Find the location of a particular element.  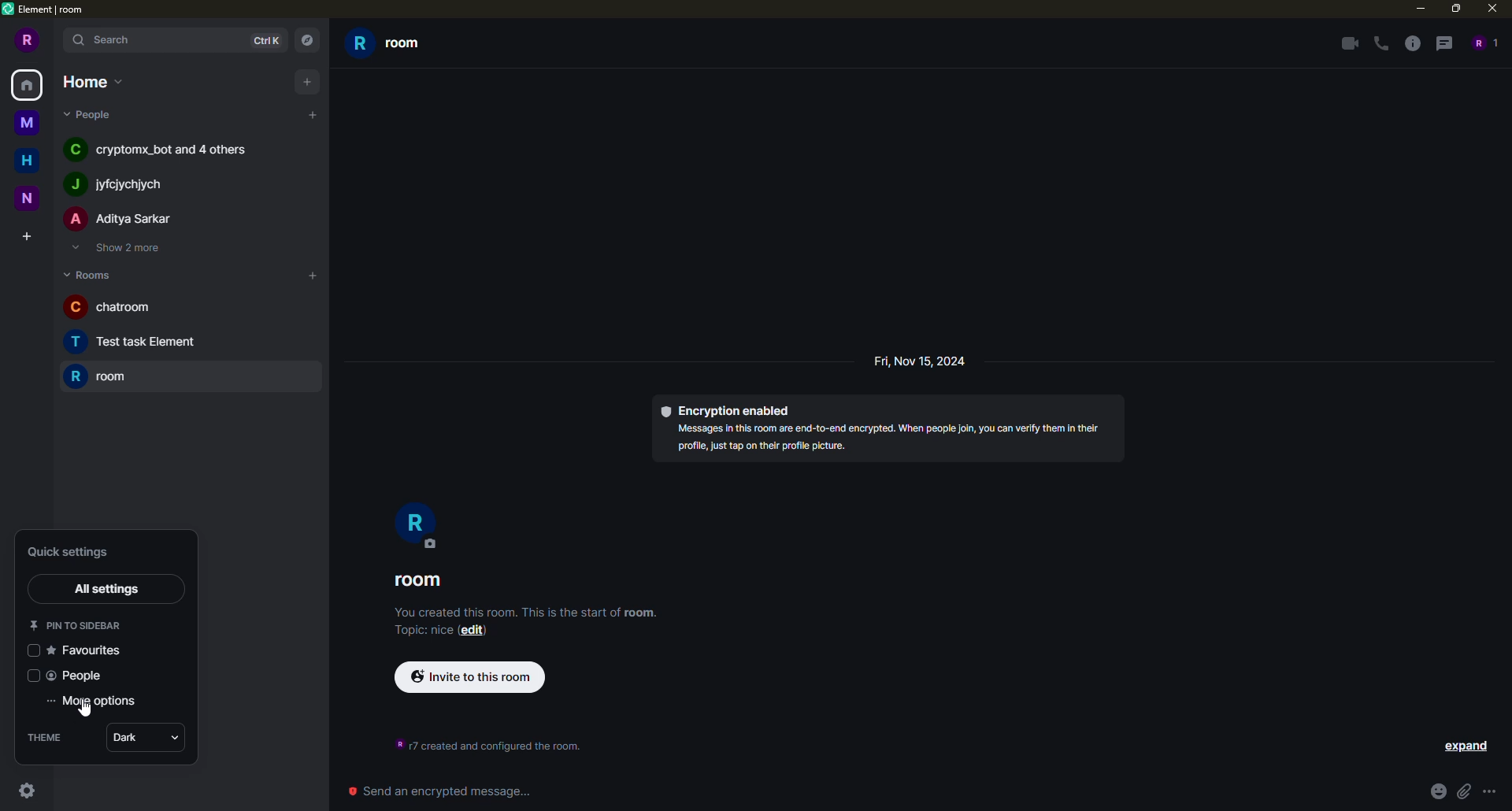

edit is located at coordinates (474, 632).